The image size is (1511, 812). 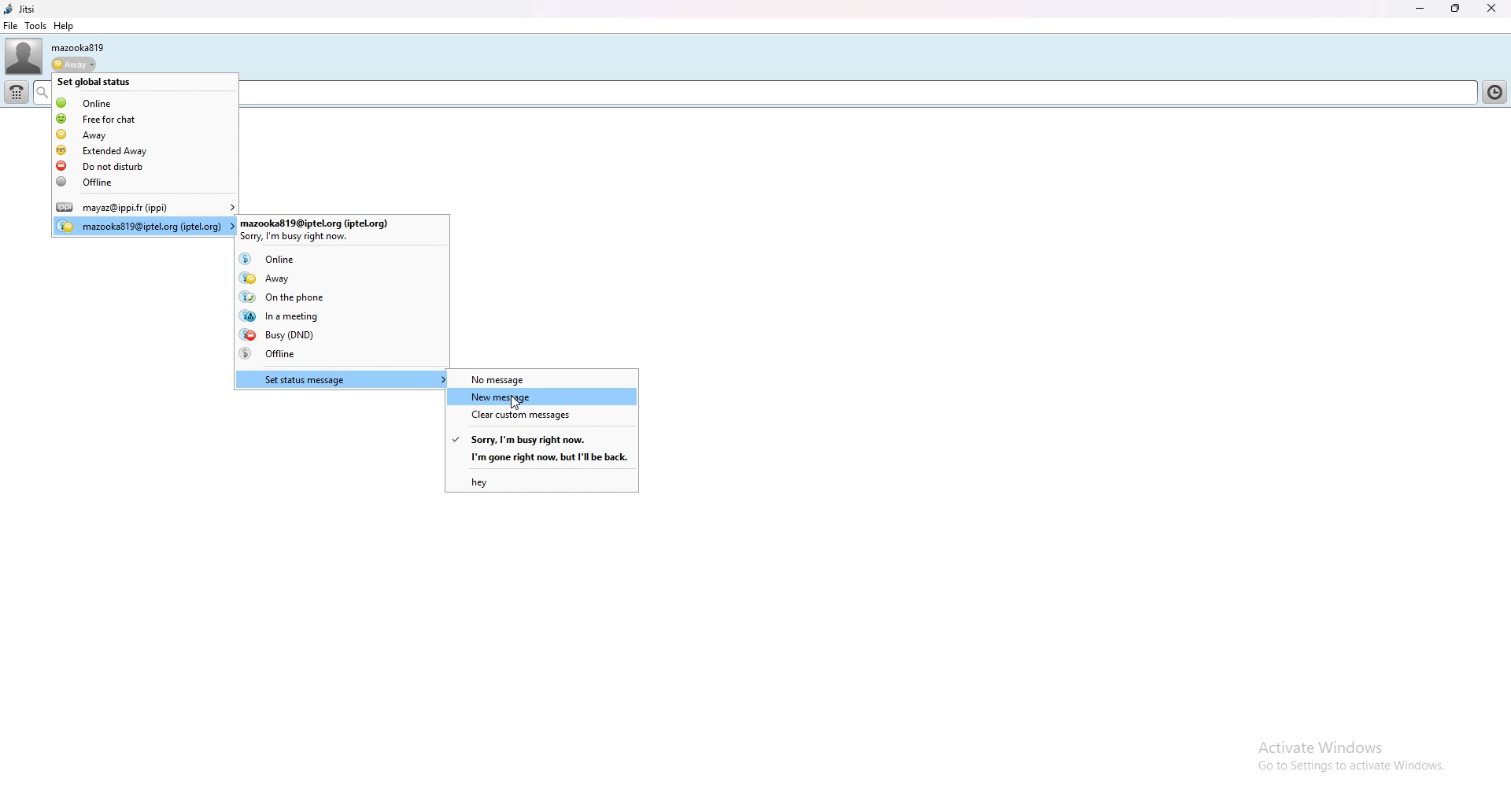 What do you see at coordinates (336, 379) in the screenshot?
I see `set status message` at bounding box center [336, 379].